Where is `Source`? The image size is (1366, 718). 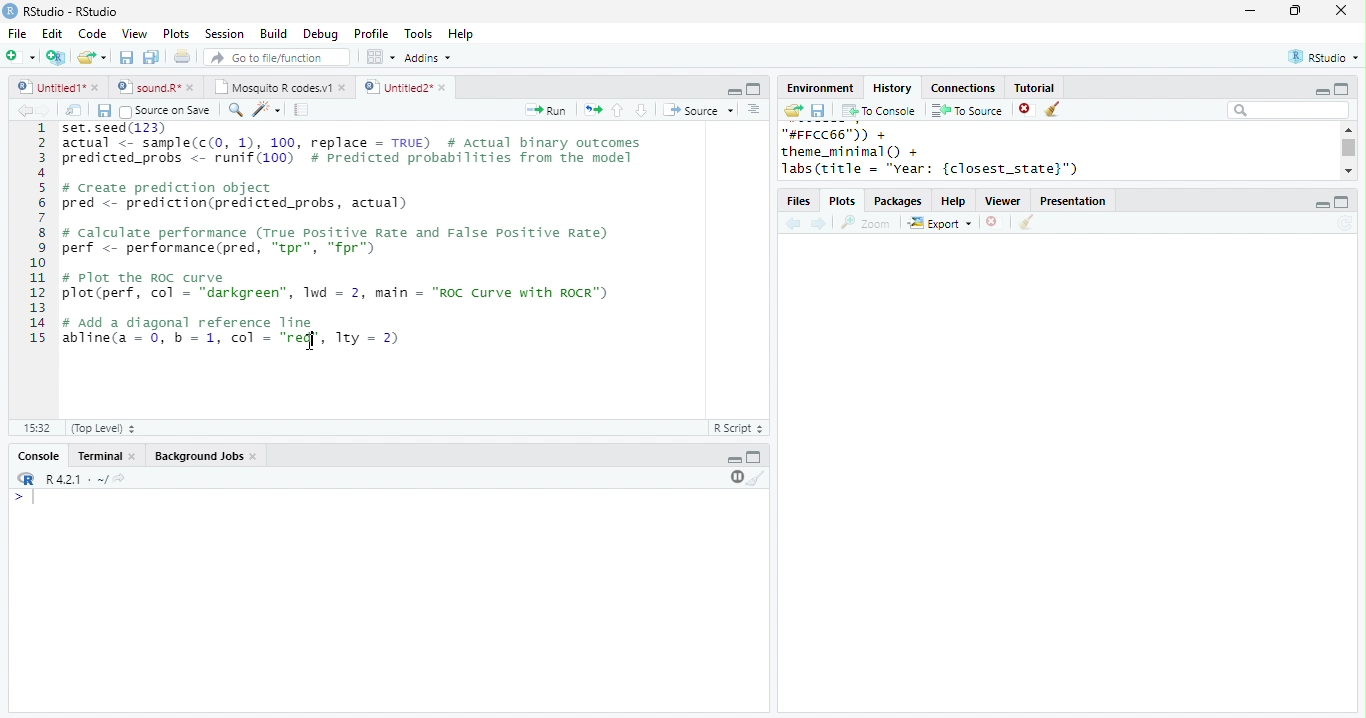 Source is located at coordinates (700, 110).